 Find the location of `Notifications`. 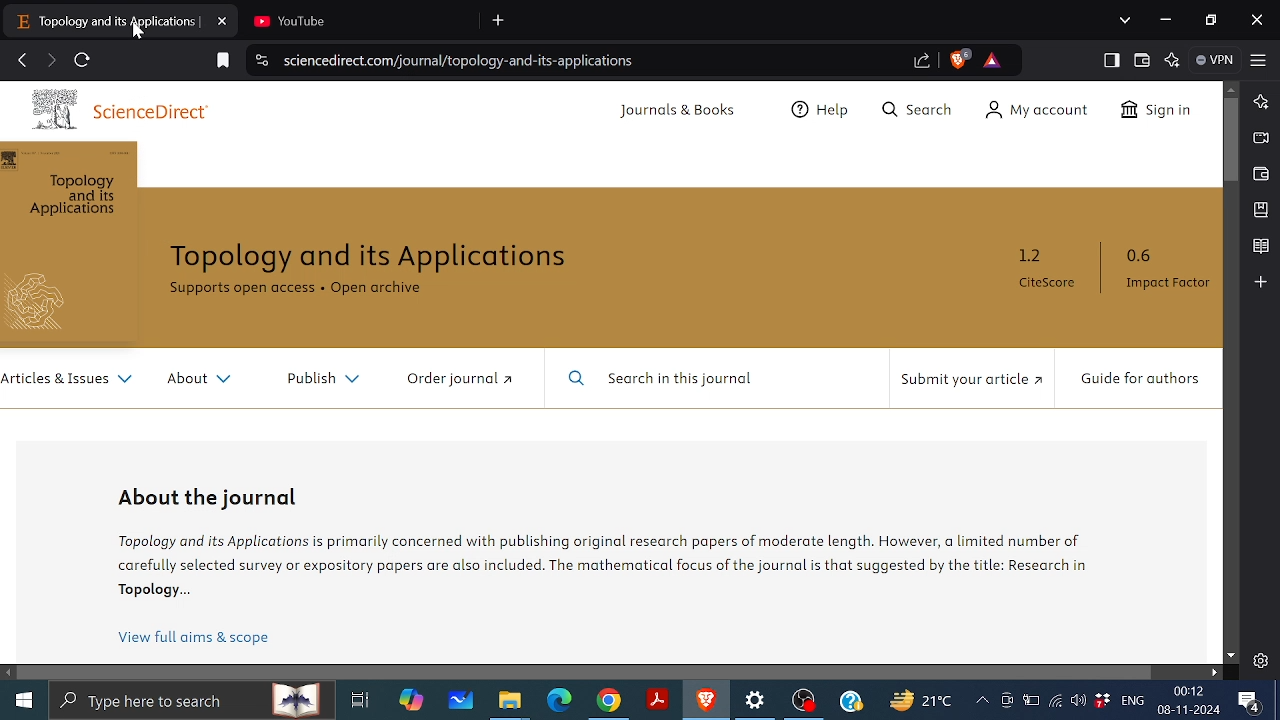

Notifications is located at coordinates (1250, 702).